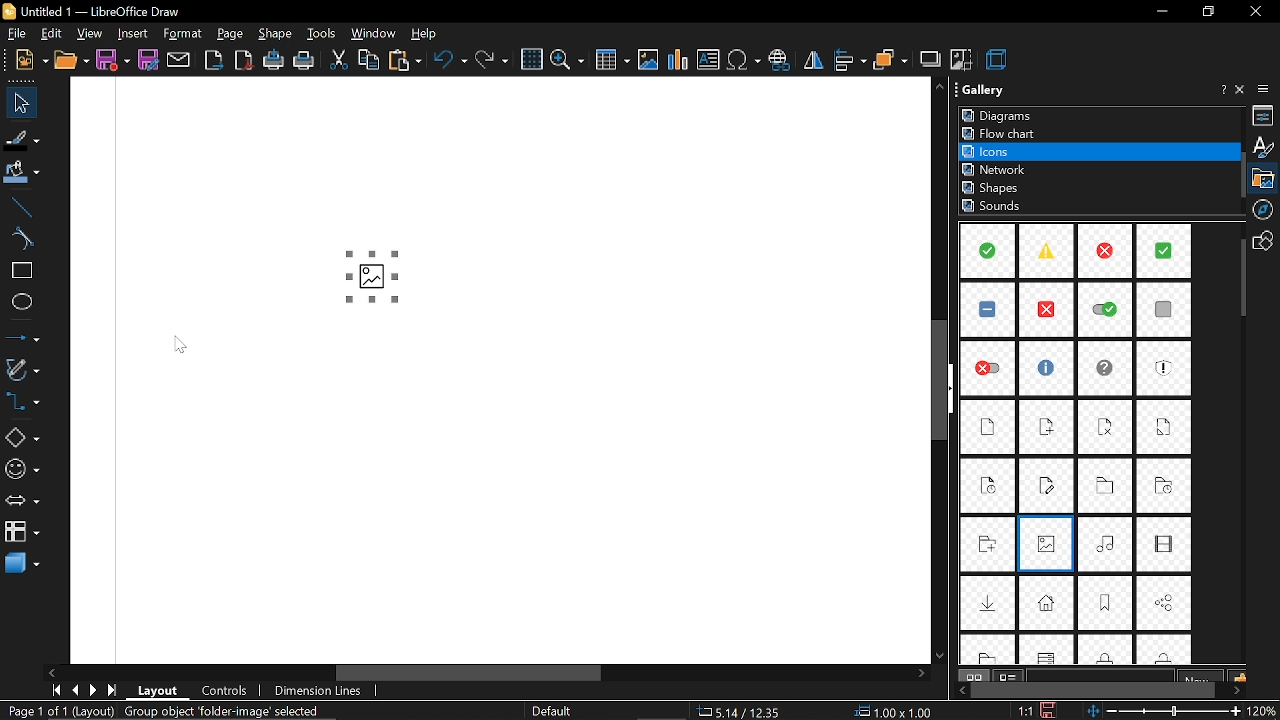 The image size is (1280, 720). What do you see at coordinates (53, 690) in the screenshot?
I see `go to first page` at bounding box center [53, 690].